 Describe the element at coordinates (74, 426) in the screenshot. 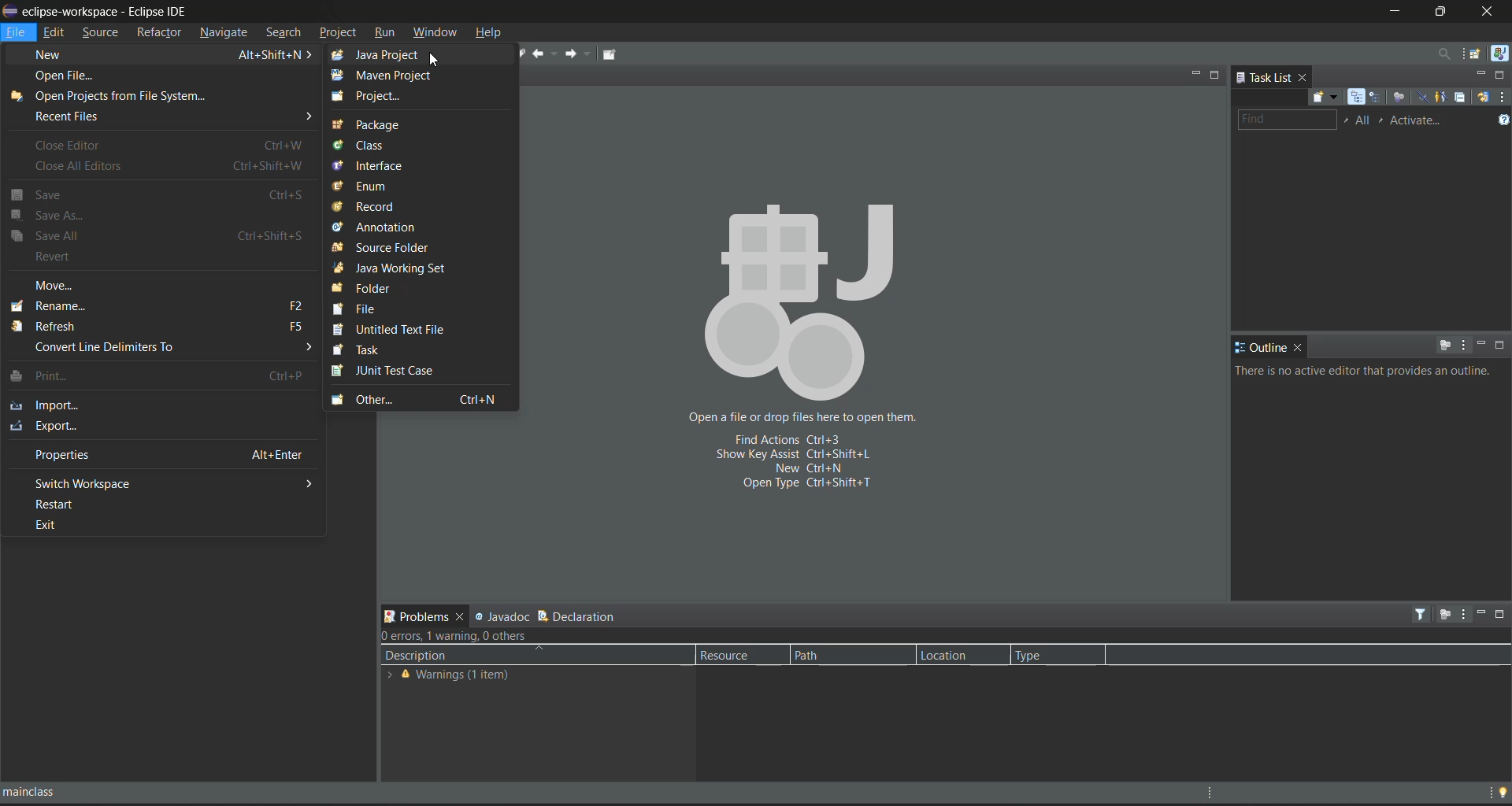

I see `export` at that location.